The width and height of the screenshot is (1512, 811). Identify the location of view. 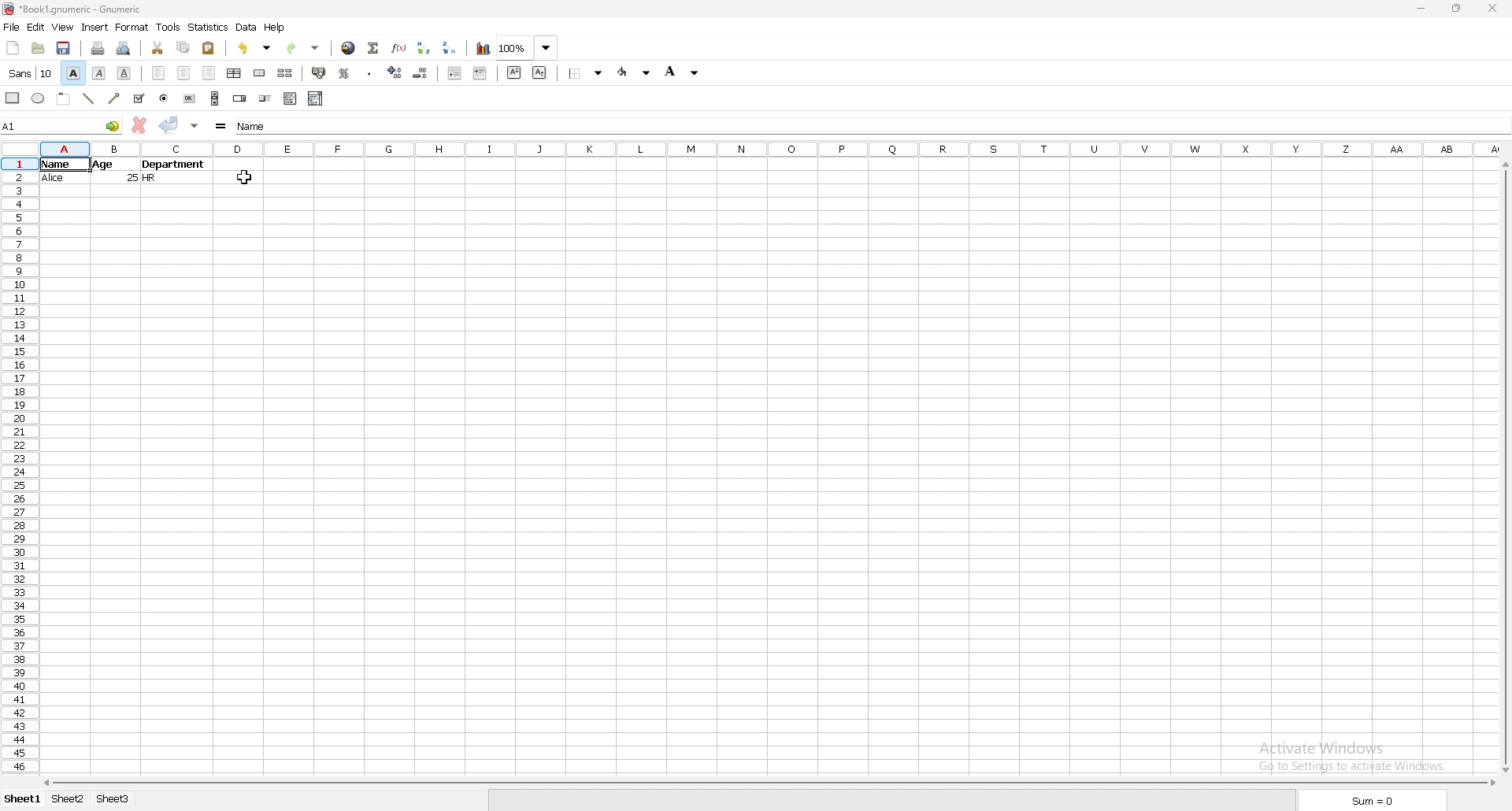
(63, 28).